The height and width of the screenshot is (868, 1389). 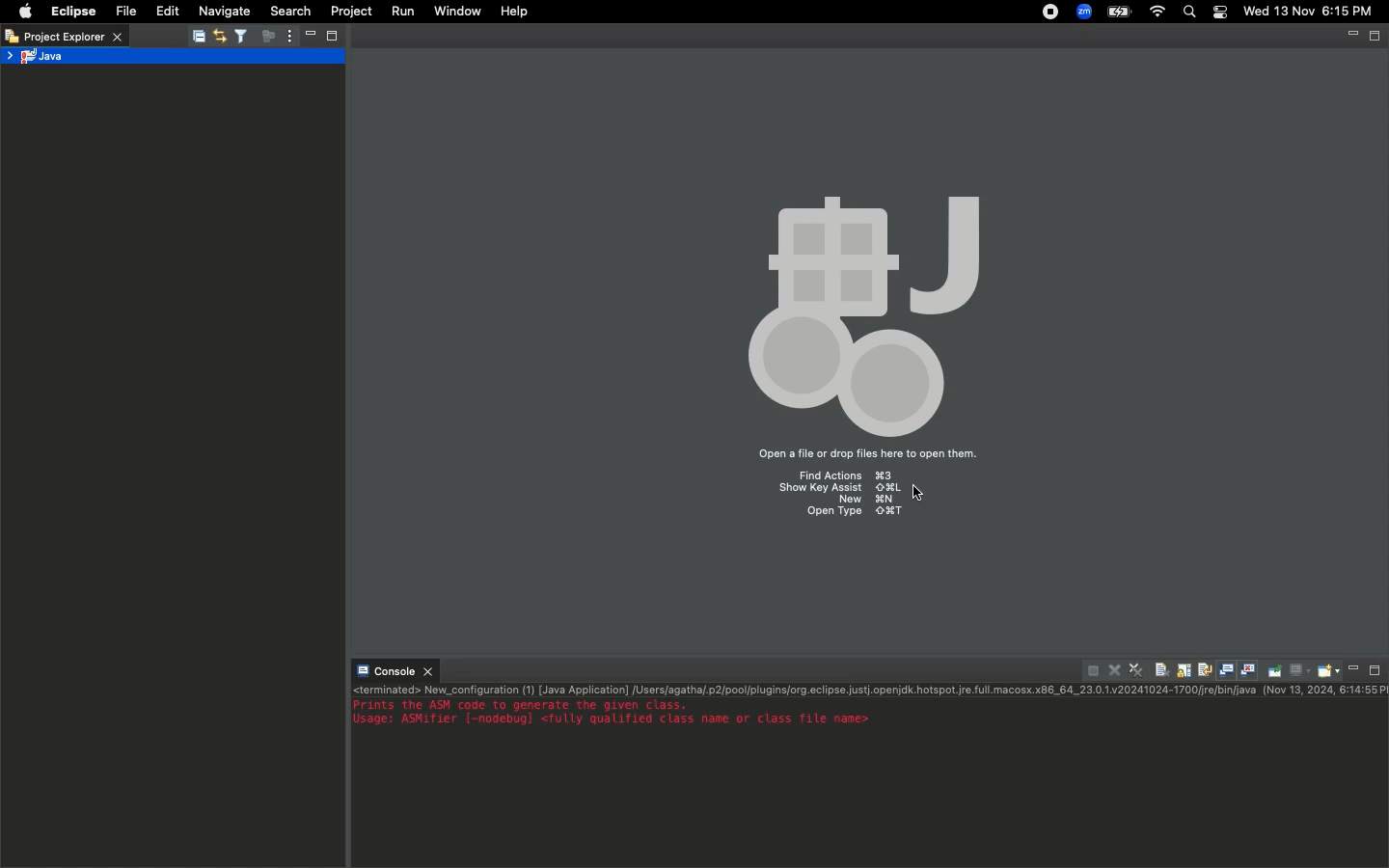 What do you see at coordinates (846, 476) in the screenshot?
I see `Find Actions ⌘3` at bounding box center [846, 476].